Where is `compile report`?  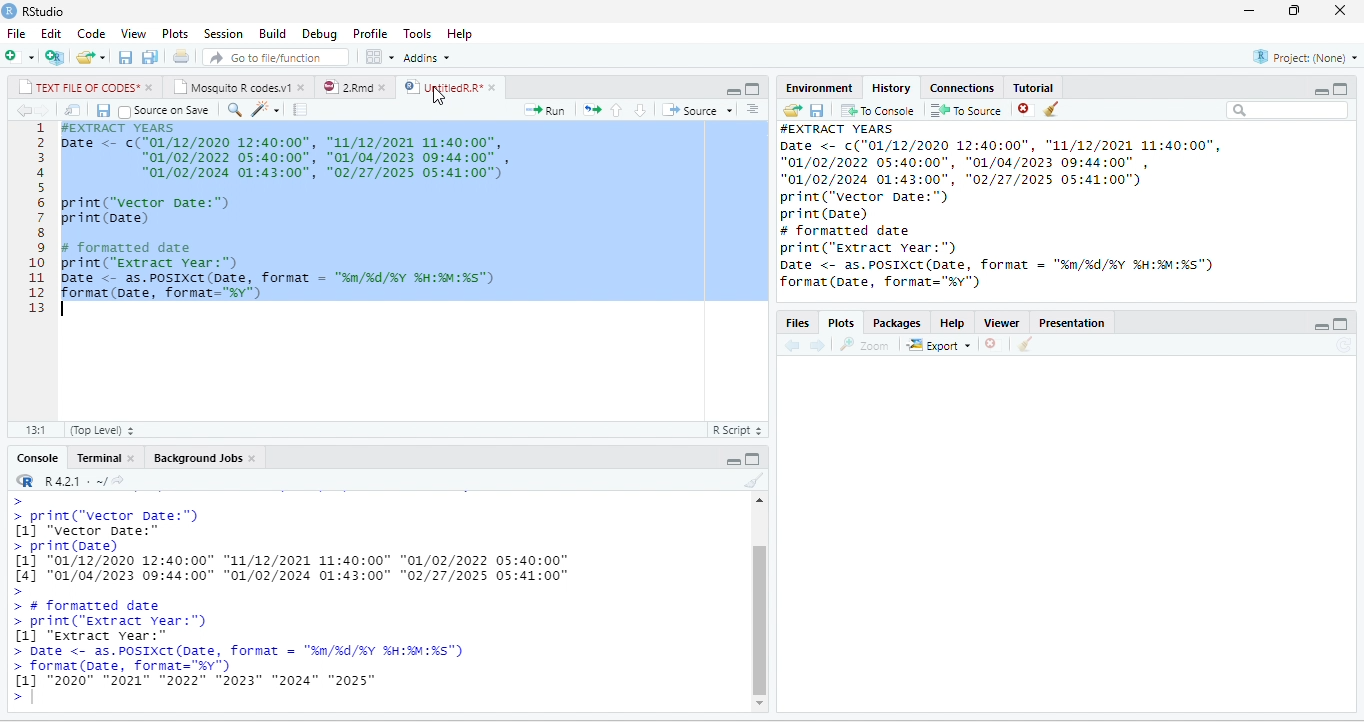
compile report is located at coordinates (300, 109).